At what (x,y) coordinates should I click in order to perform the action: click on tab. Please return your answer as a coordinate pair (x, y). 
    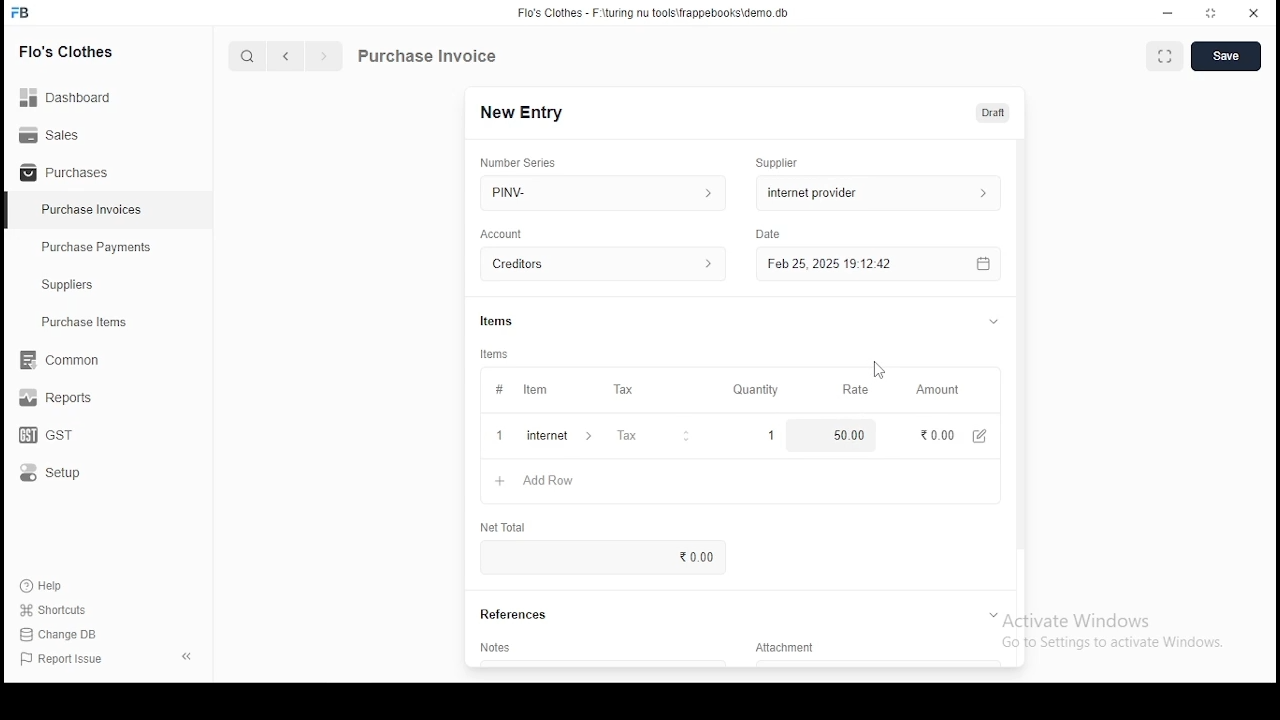
    Looking at the image, I should click on (998, 615).